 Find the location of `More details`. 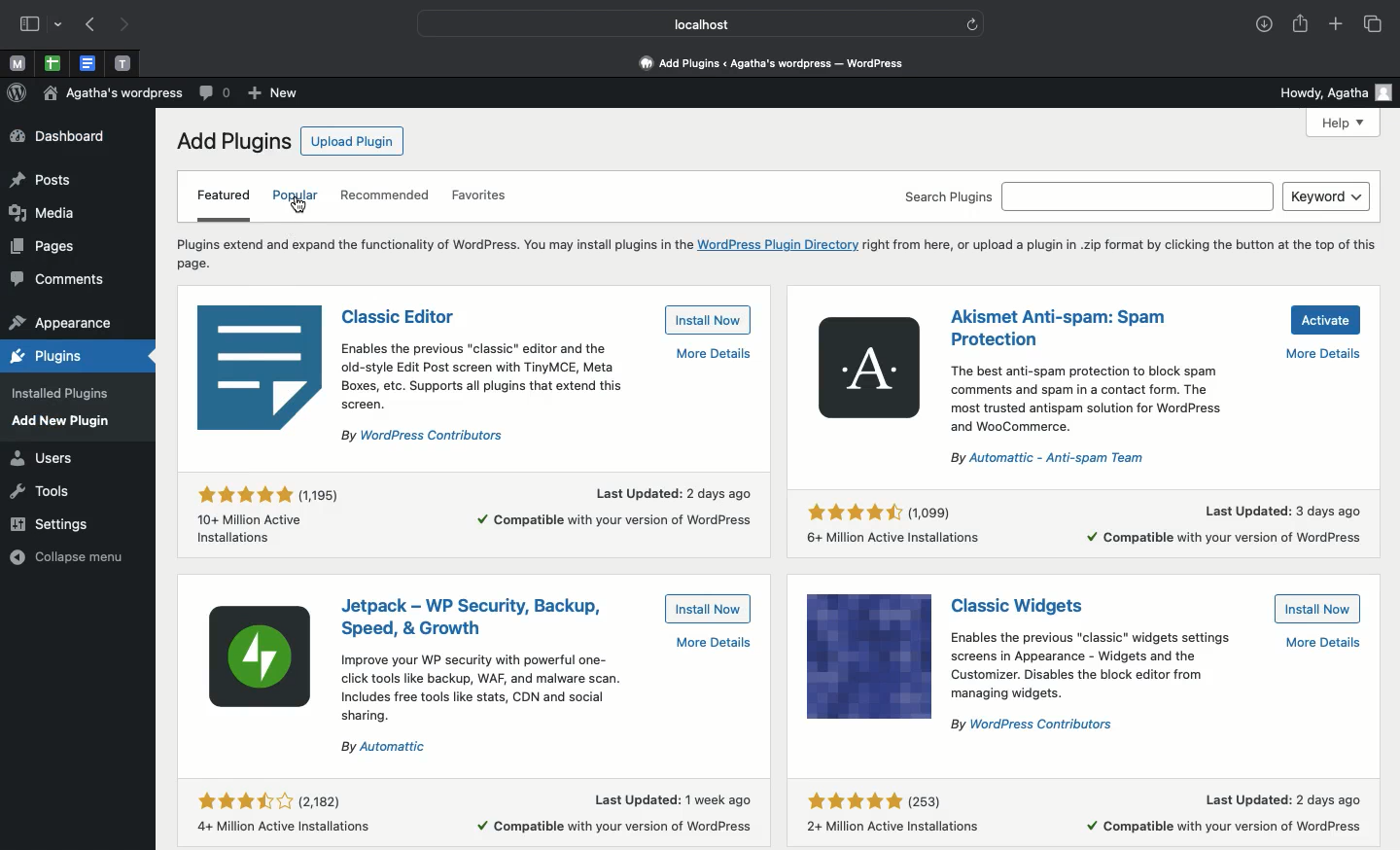

More details is located at coordinates (1223, 815).